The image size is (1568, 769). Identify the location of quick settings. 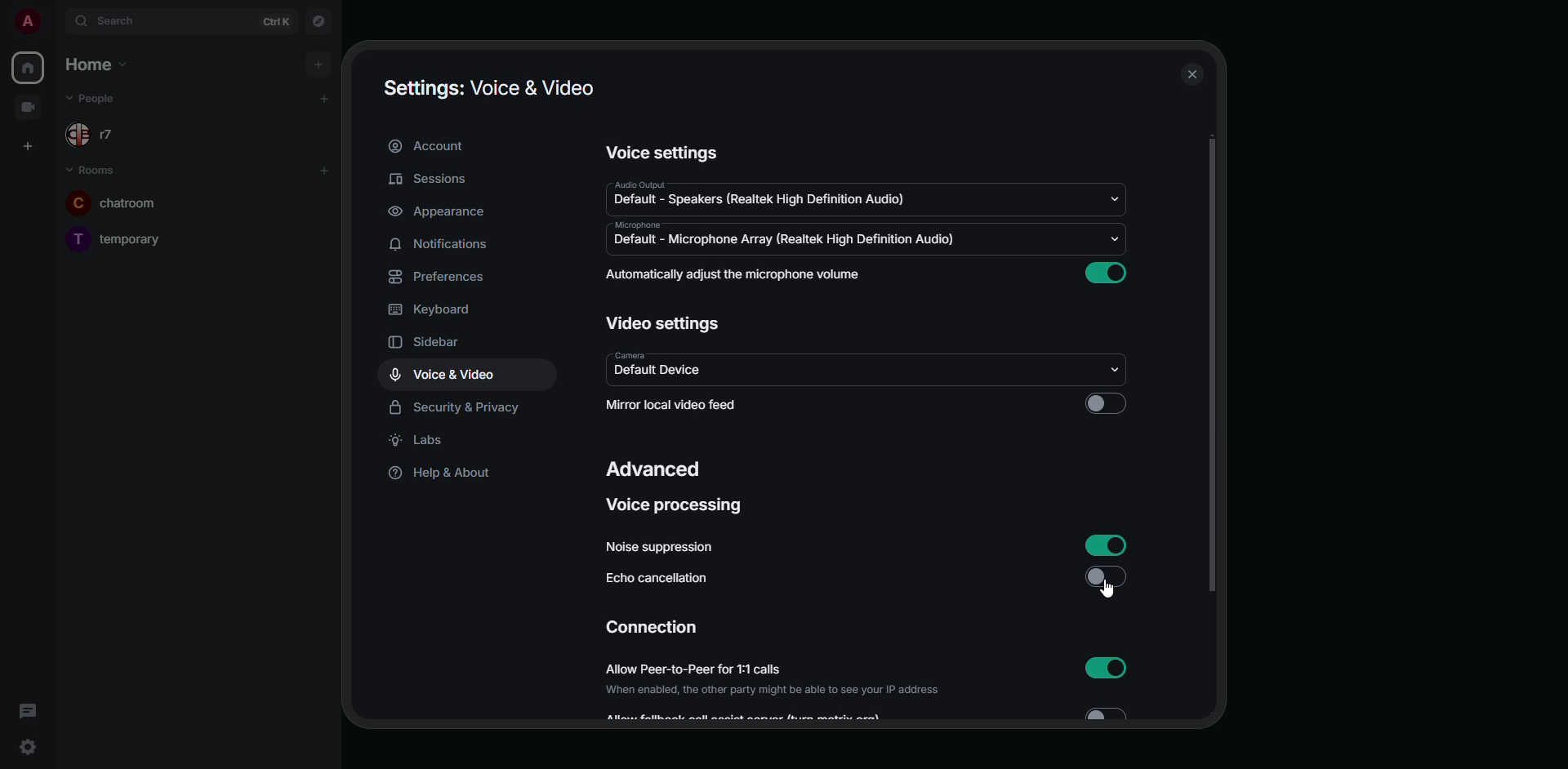
(29, 747).